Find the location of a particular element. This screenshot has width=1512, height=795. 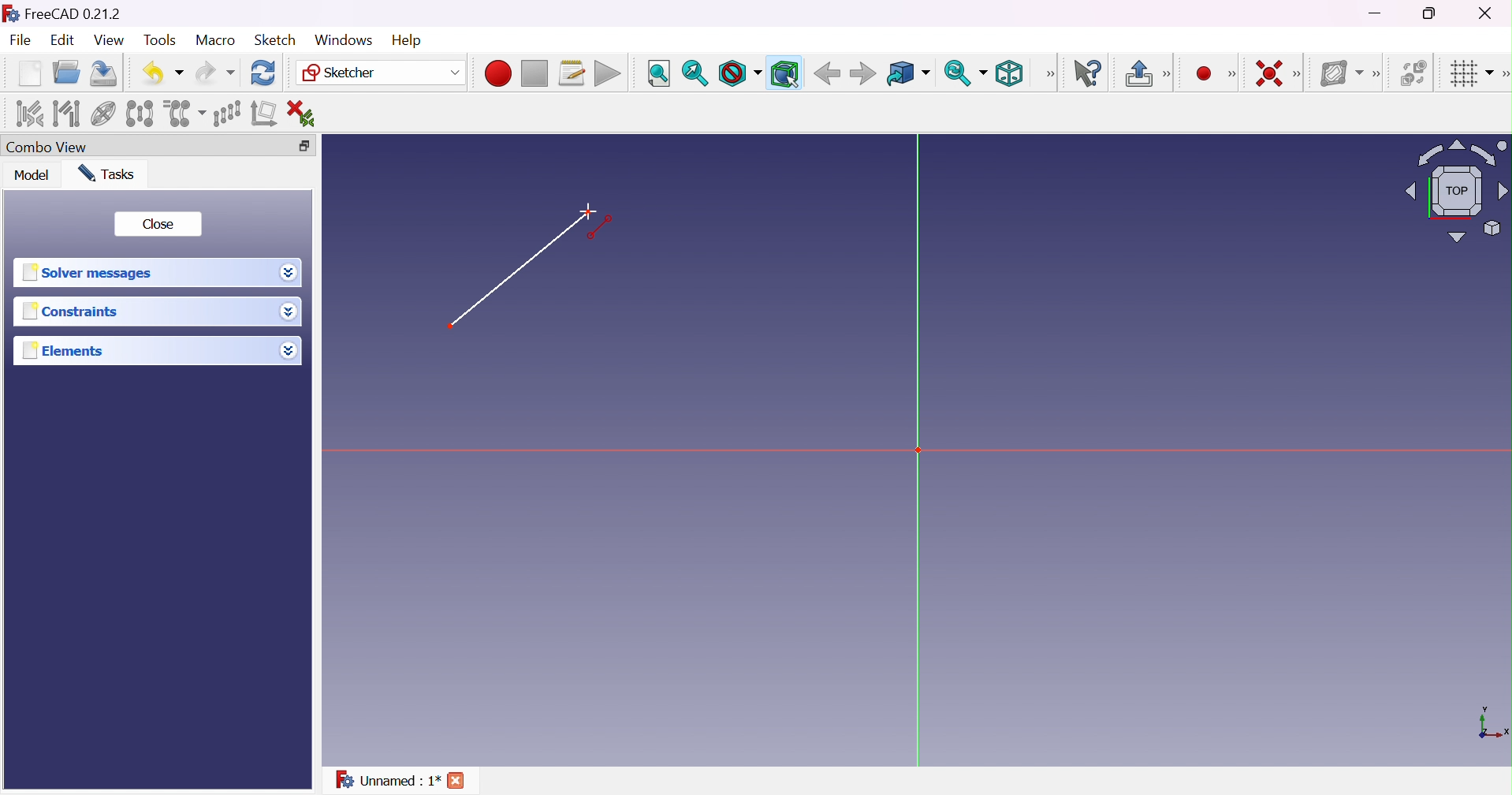

Sync view is located at coordinates (966, 73).